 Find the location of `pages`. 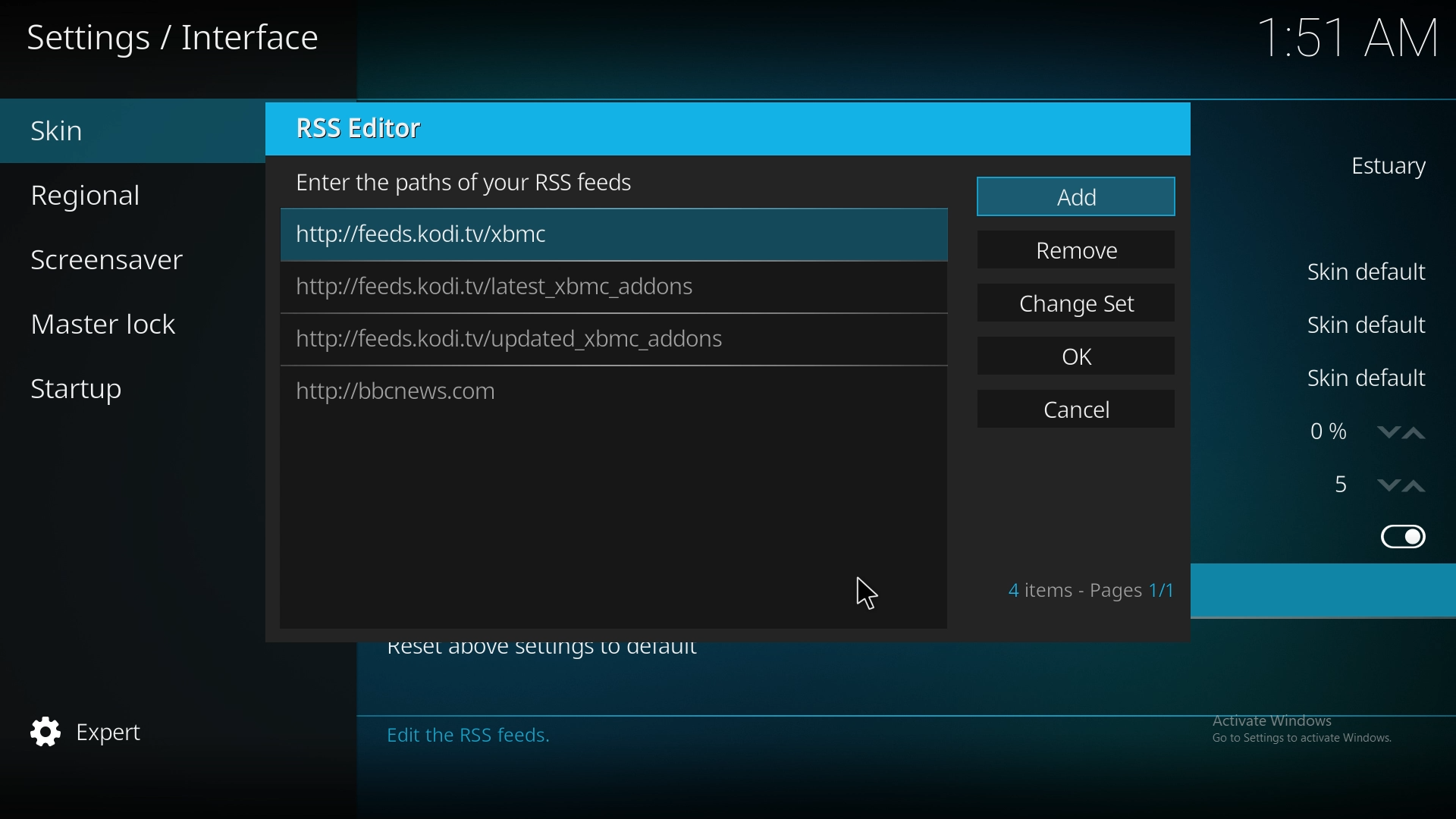

pages is located at coordinates (1090, 590).